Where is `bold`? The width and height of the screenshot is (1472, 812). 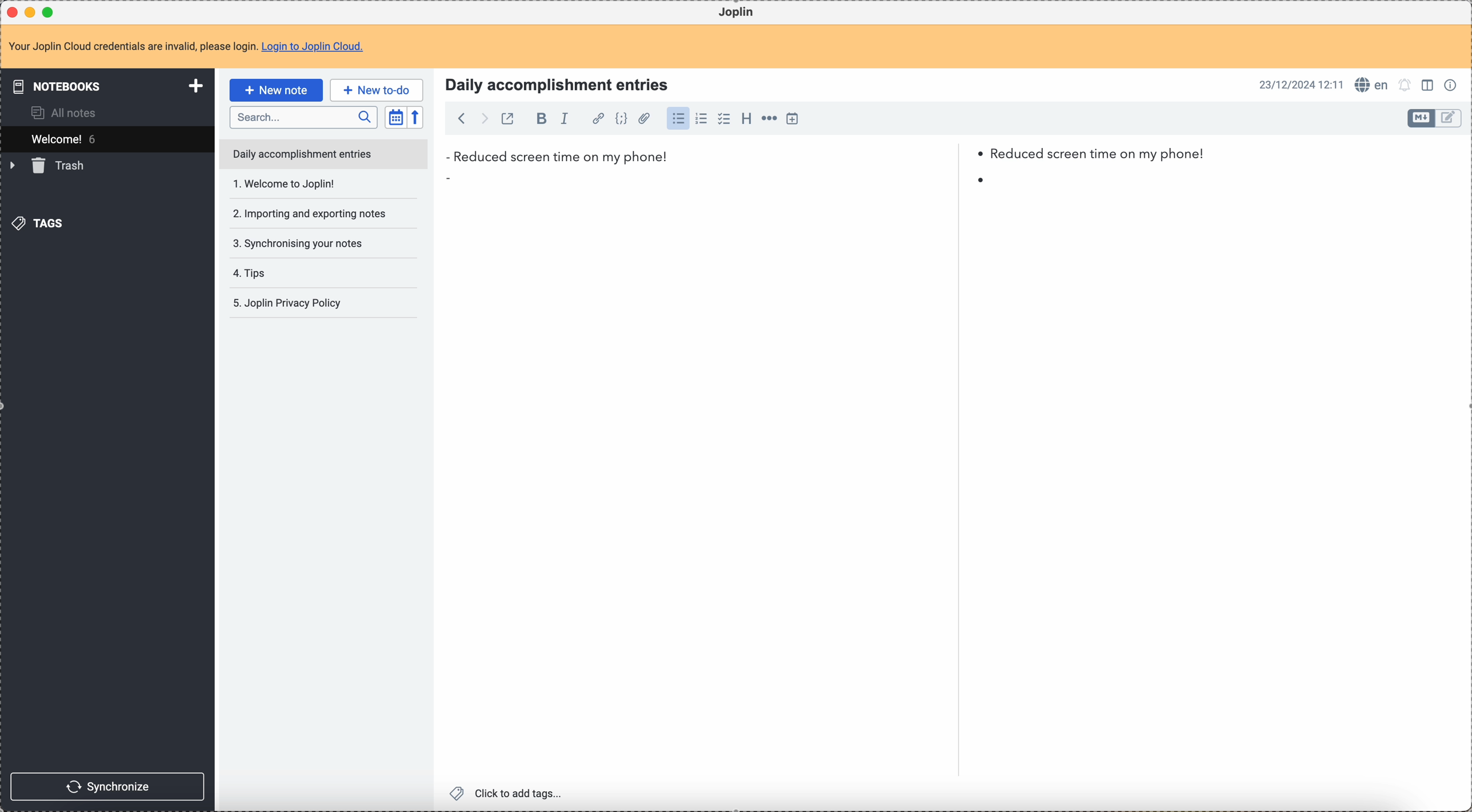
bold is located at coordinates (538, 119).